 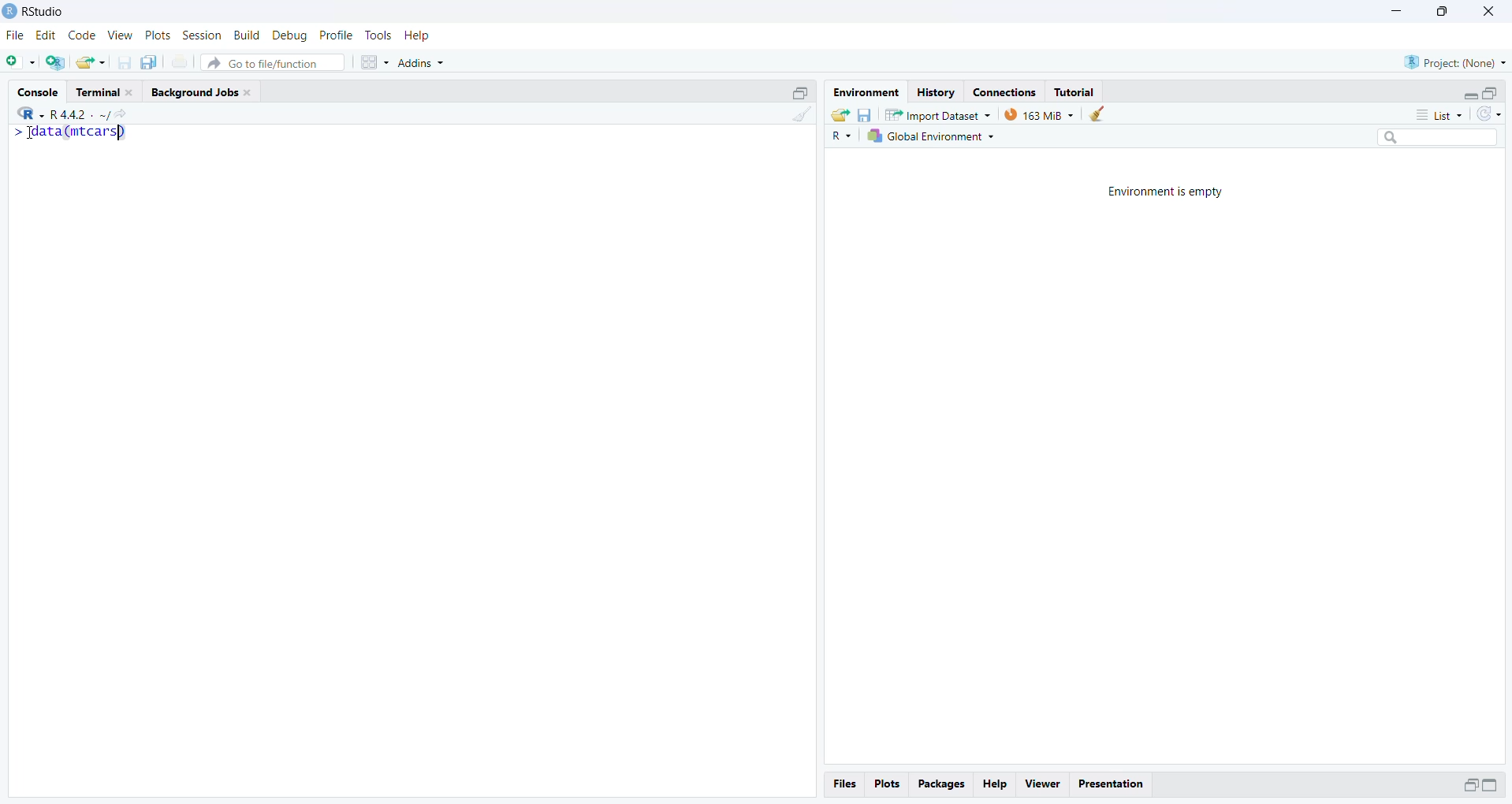 I want to click on Tutorial, so click(x=1076, y=92).